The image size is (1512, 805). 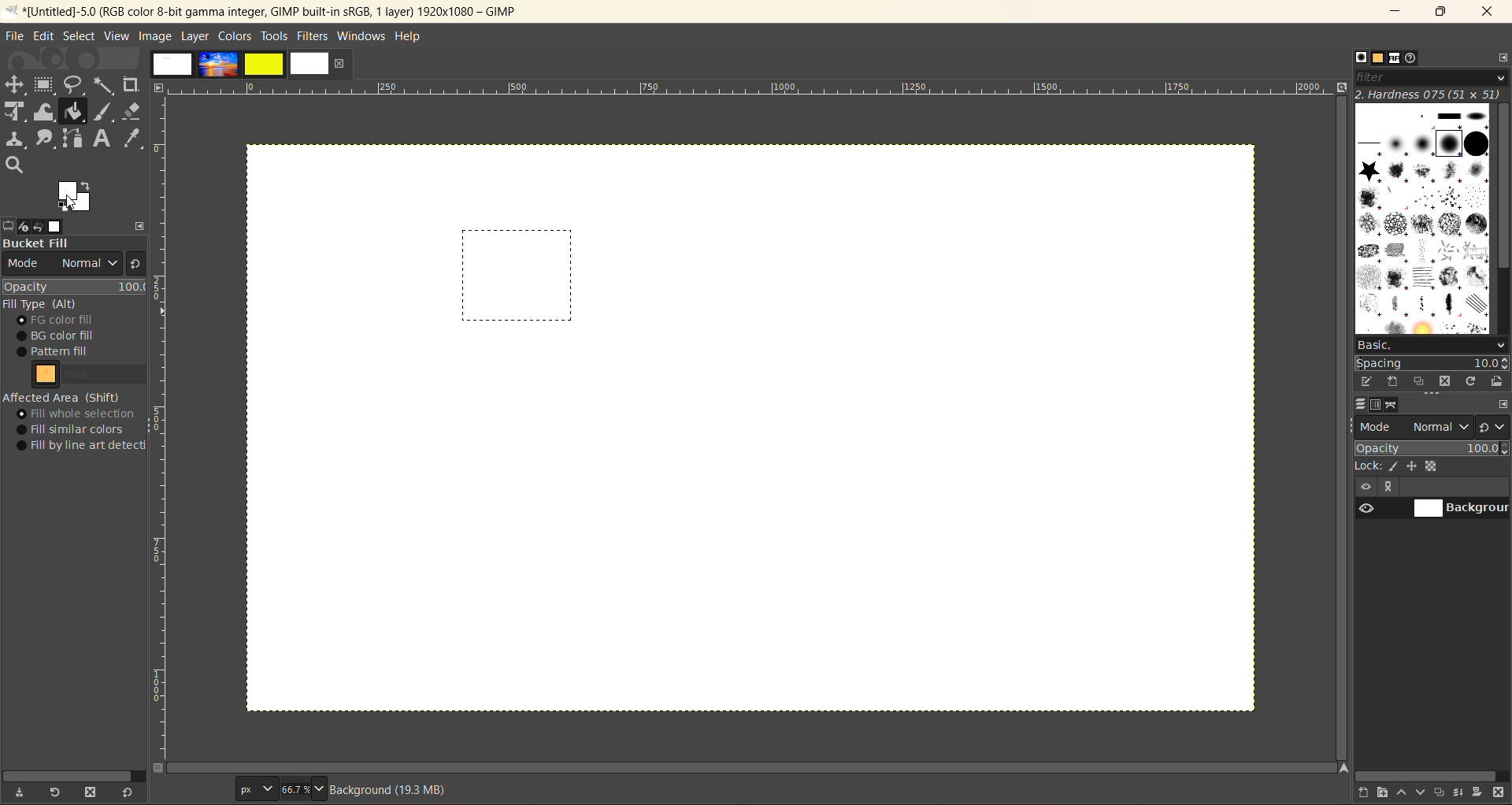 What do you see at coordinates (1398, 10) in the screenshot?
I see `minimize` at bounding box center [1398, 10].